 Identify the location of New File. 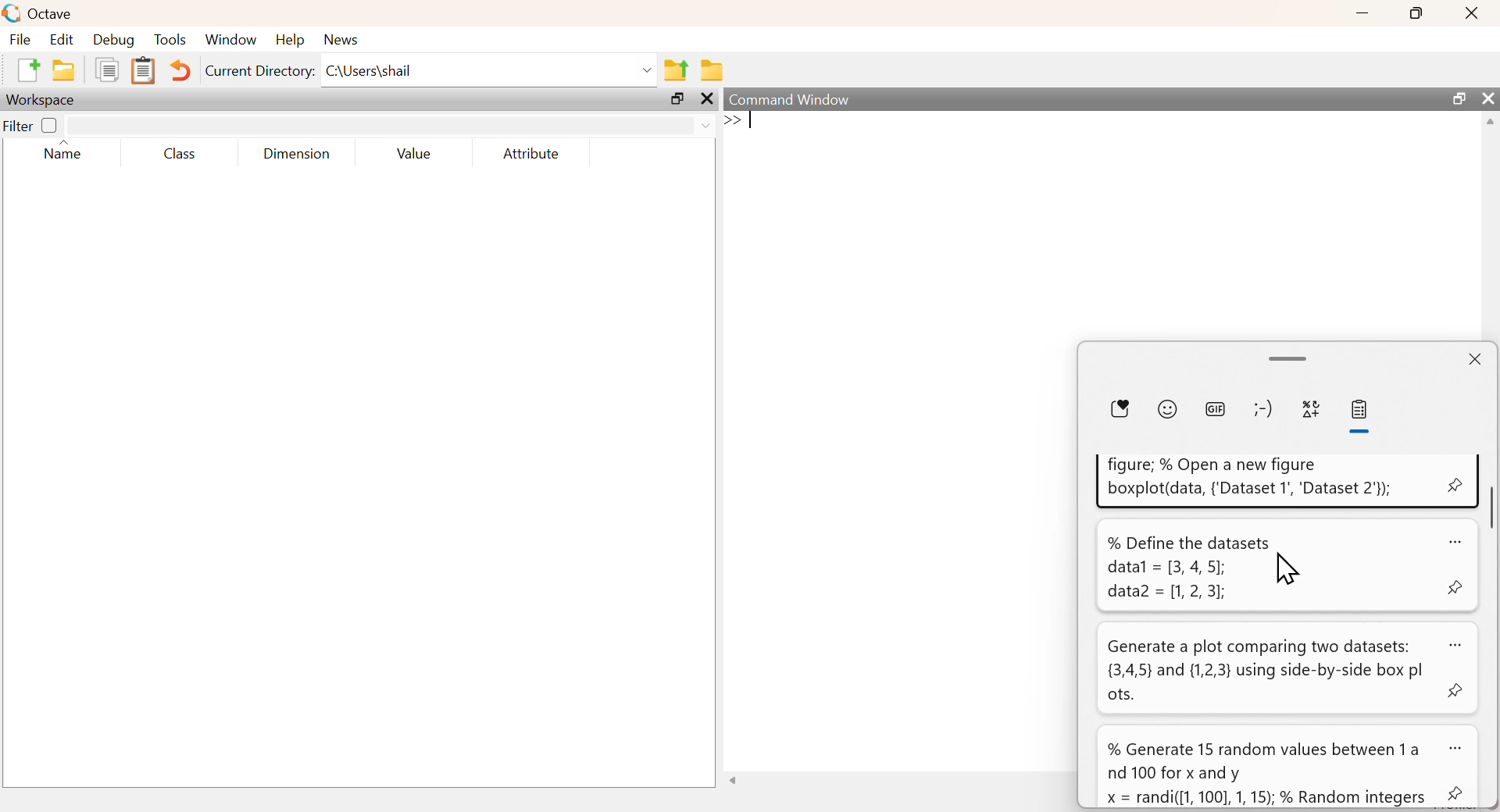
(27, 69).